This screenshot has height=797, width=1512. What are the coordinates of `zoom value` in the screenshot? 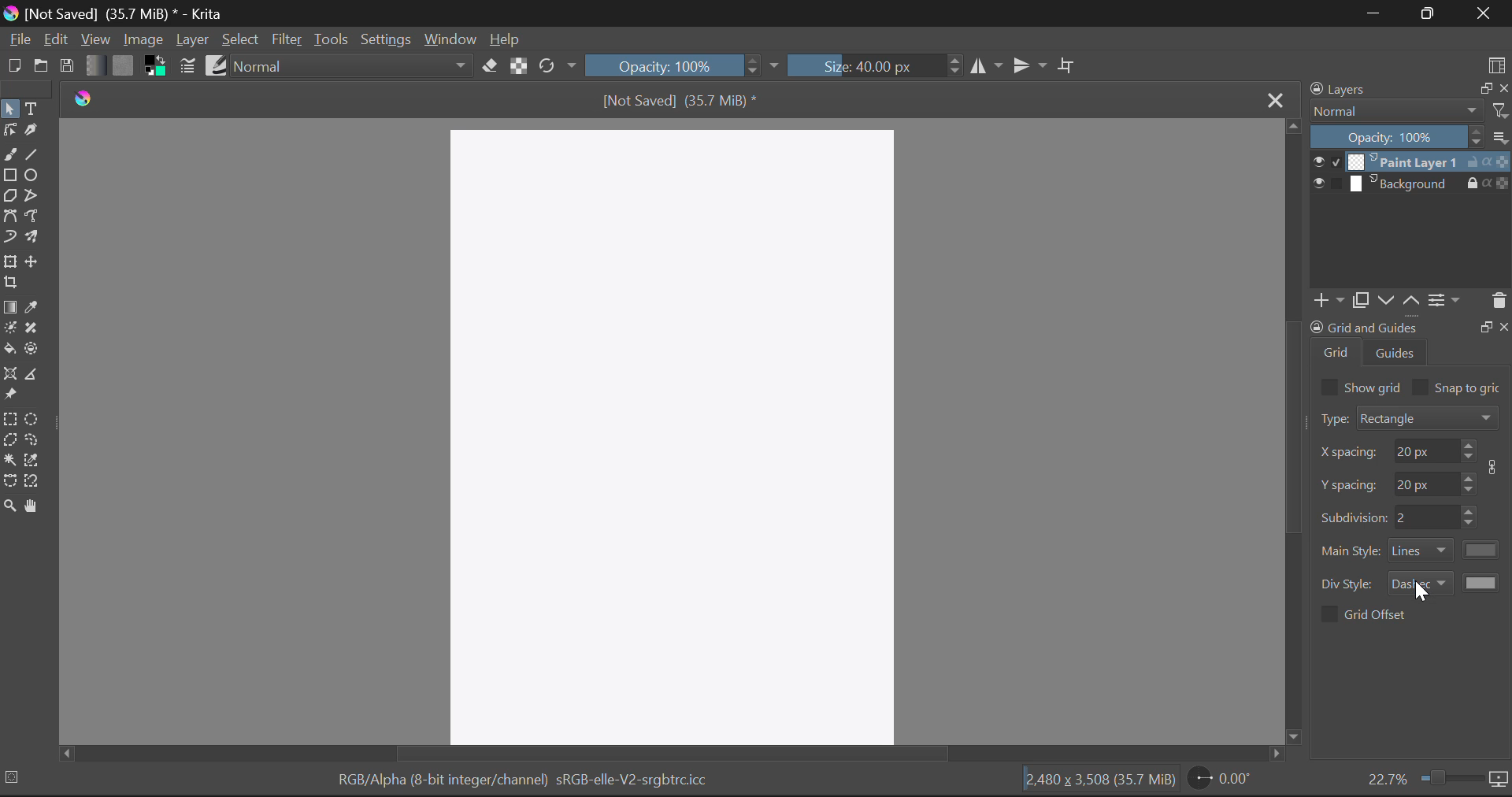 It's located at (1387, 777).